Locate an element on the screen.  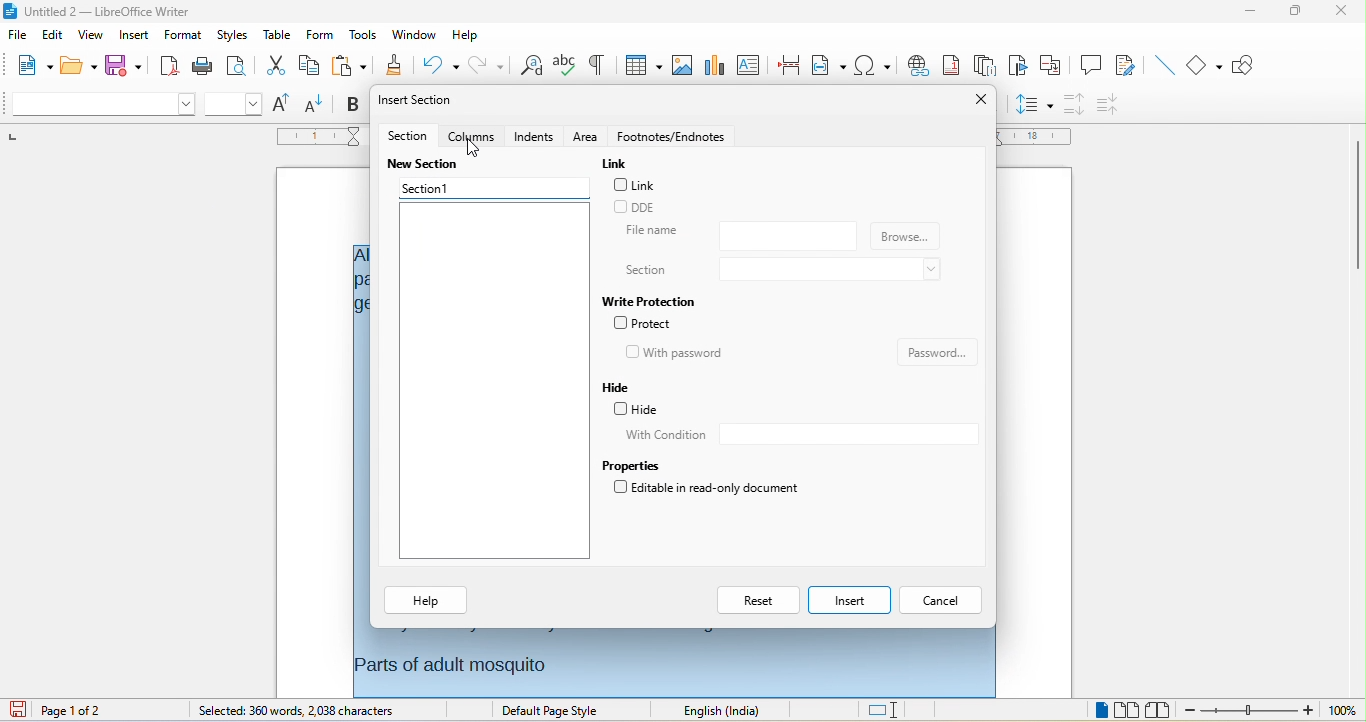
zoom is located at coordinates (1248, 711).